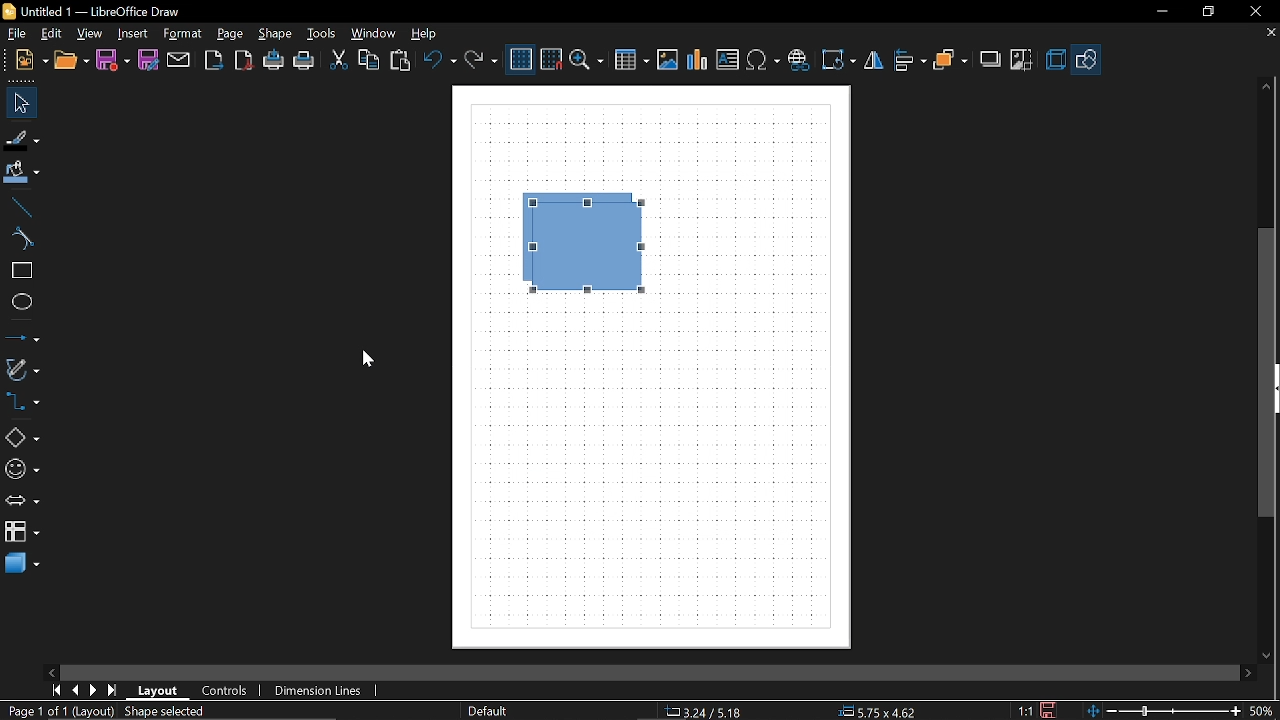  What do you see at coordinates (319, 691) in the screenshot?
I see `Dimension lines` at bounding box center [319, 691].